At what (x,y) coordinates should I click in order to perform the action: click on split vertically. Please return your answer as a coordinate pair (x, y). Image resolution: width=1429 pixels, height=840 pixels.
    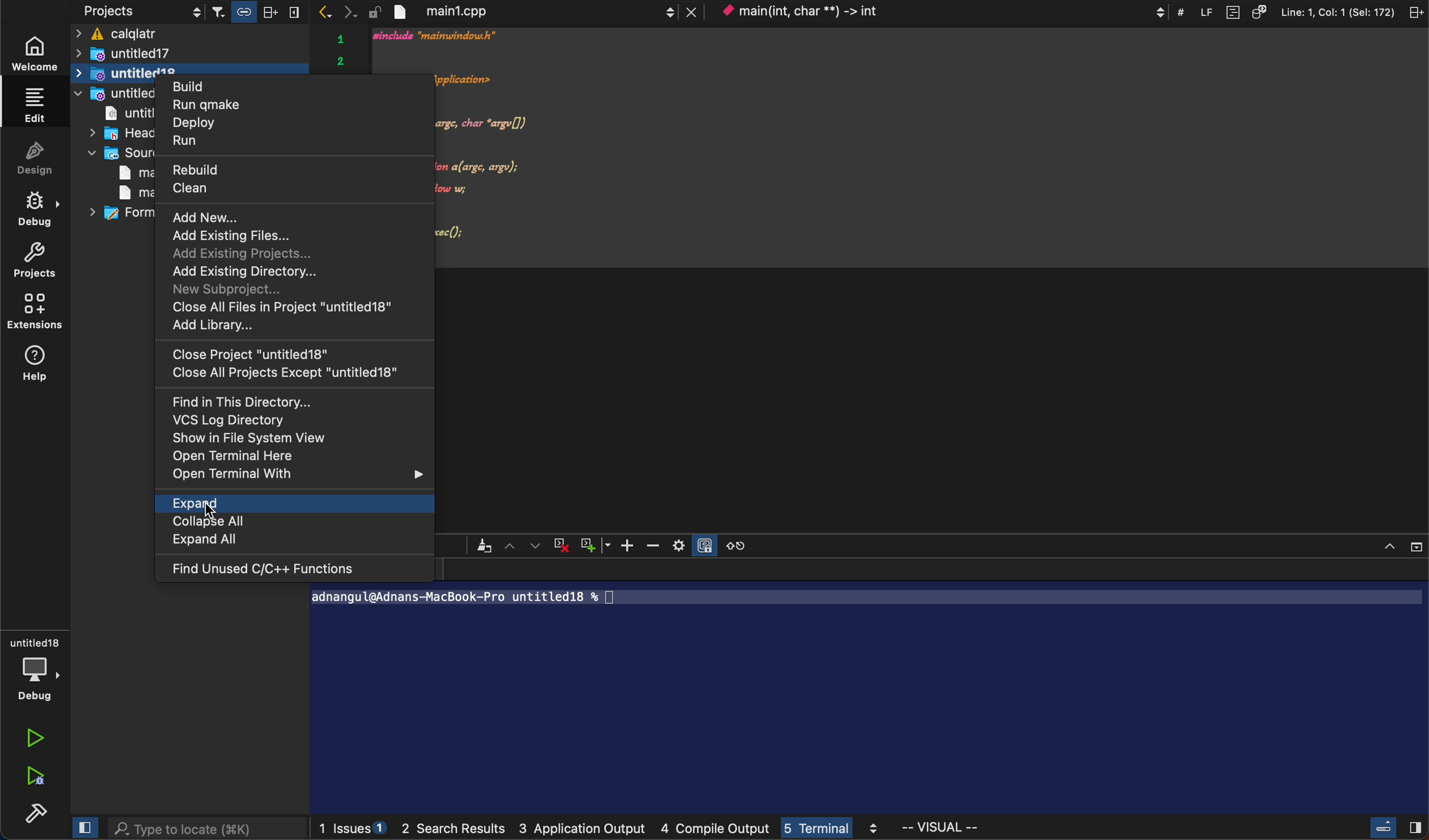
    Looking at the image, I should click on (294, 9).